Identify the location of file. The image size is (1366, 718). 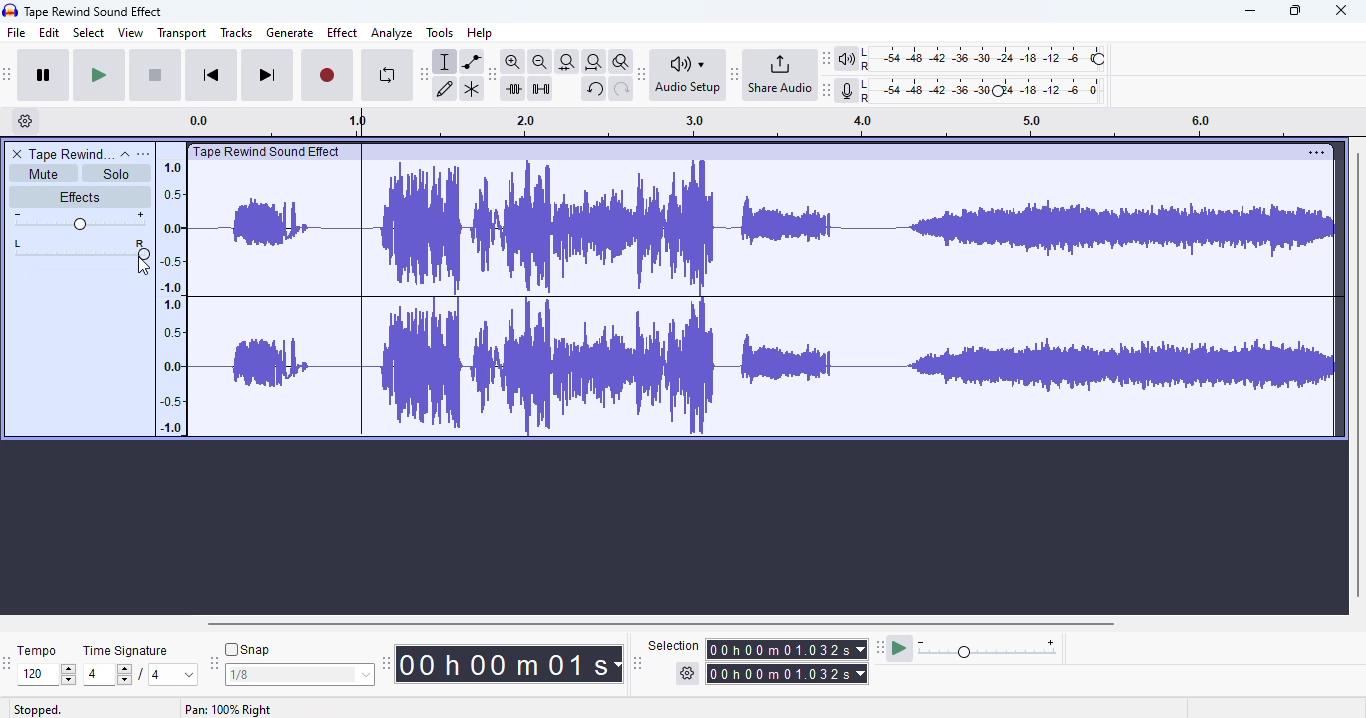
(17, 32).